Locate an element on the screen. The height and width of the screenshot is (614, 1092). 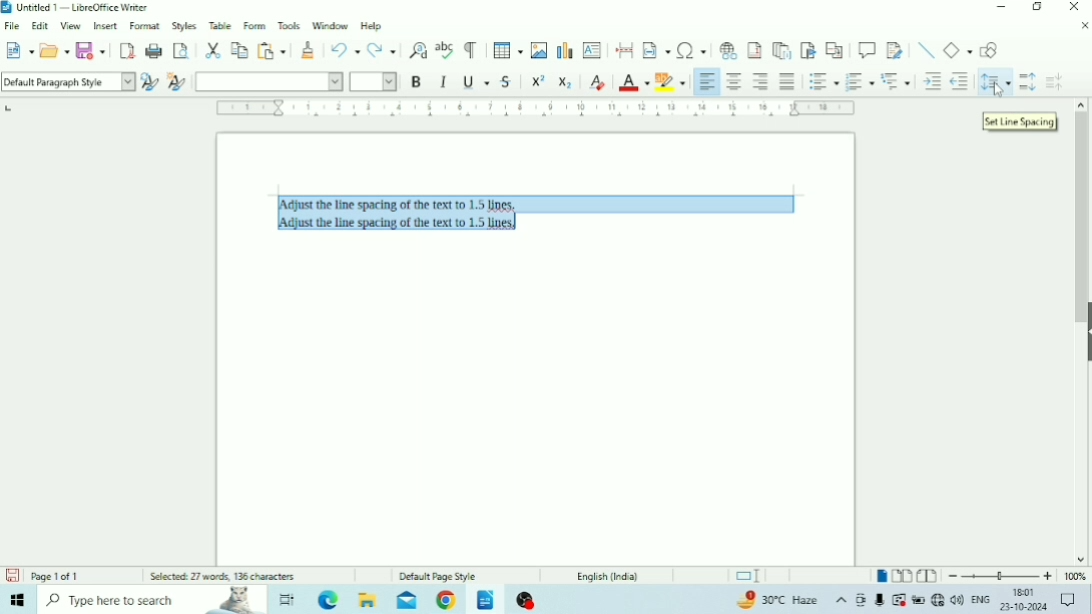
Zoom Out/In is located at coordinates (1000, 575).